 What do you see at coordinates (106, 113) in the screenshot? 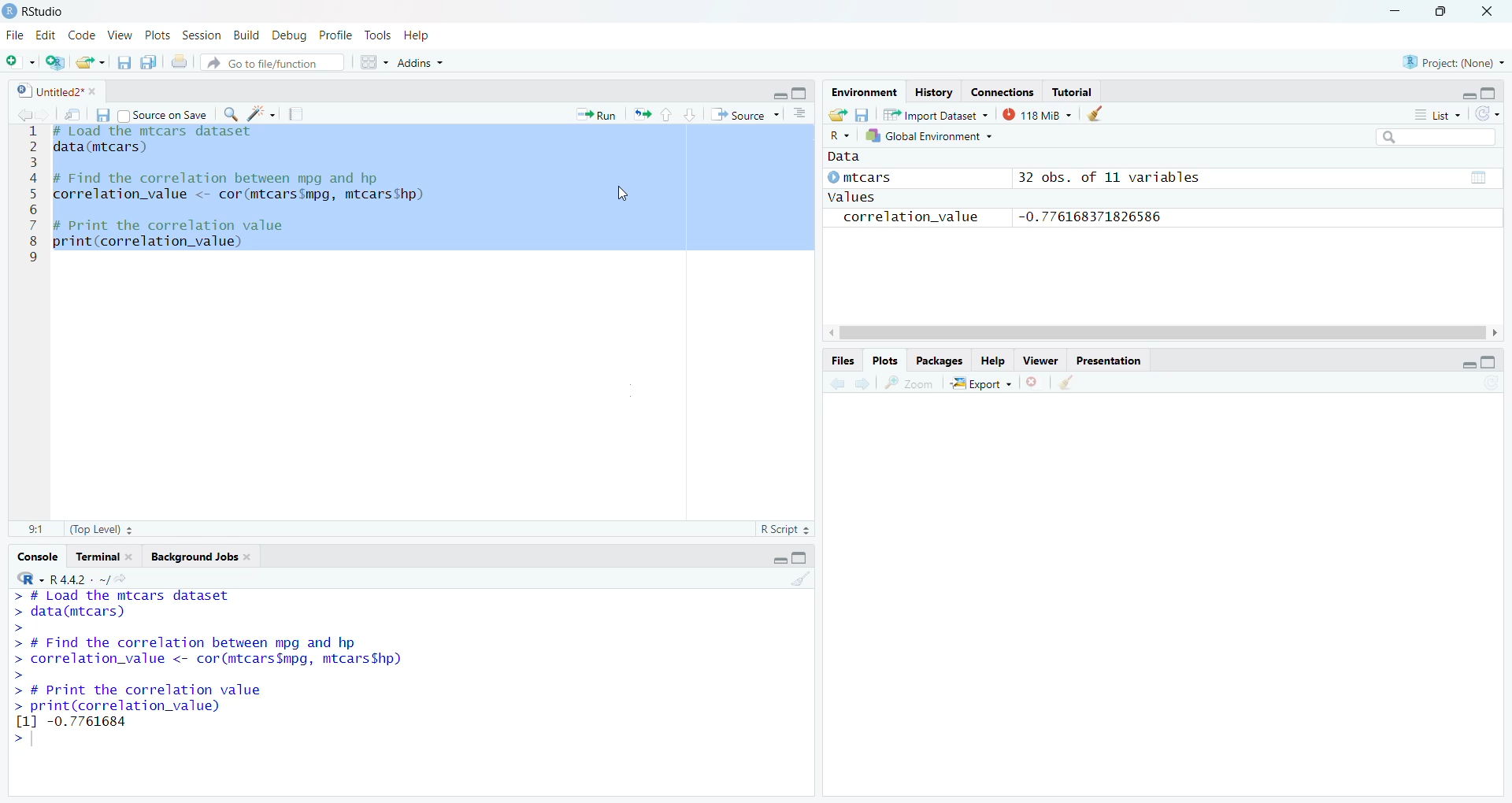
I see `Save current document (Ctrl + S)` at bounding box center [106, 113].